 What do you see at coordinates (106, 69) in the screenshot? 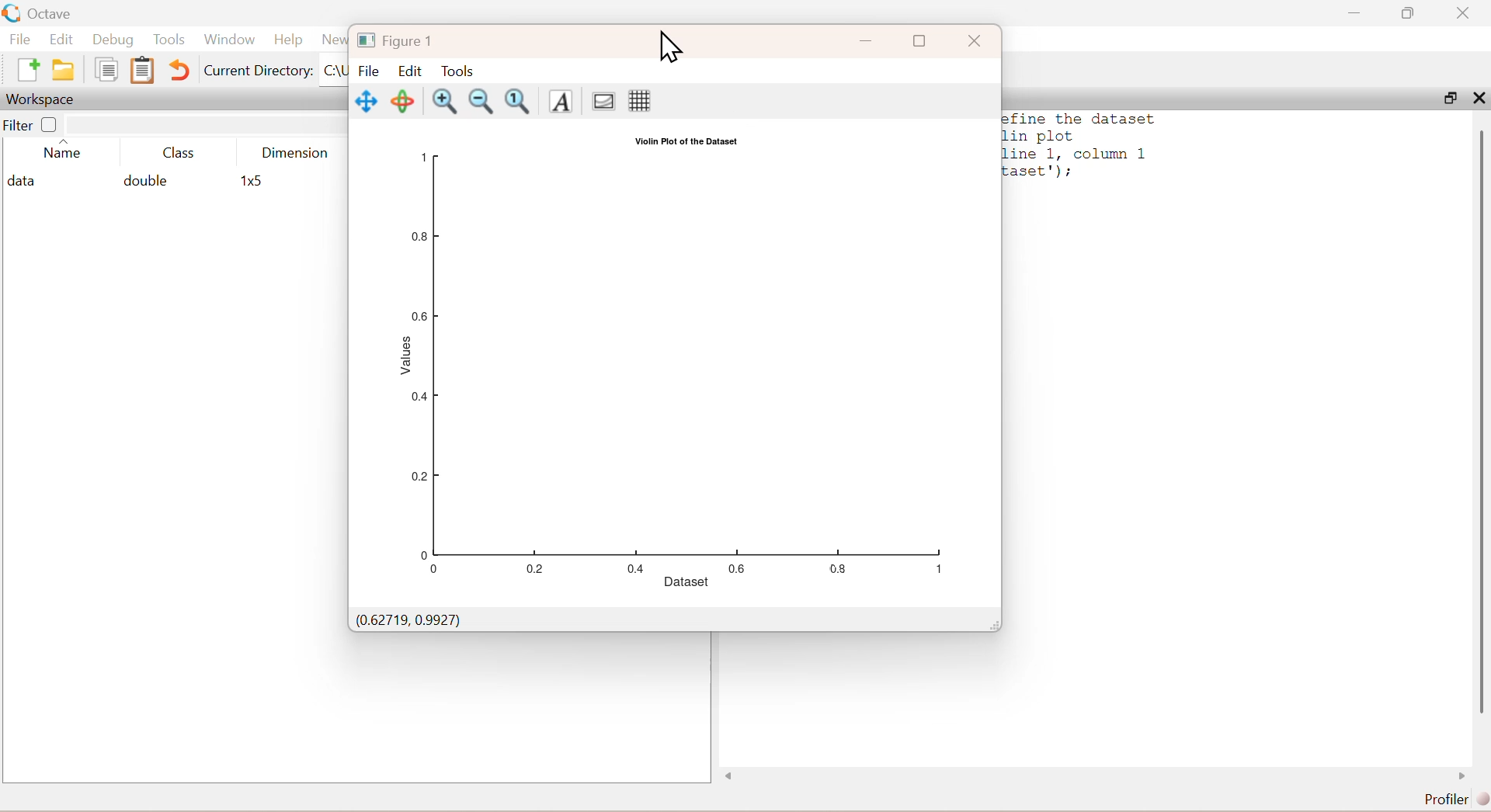
I see `copy` at bounding box center [106, 69].